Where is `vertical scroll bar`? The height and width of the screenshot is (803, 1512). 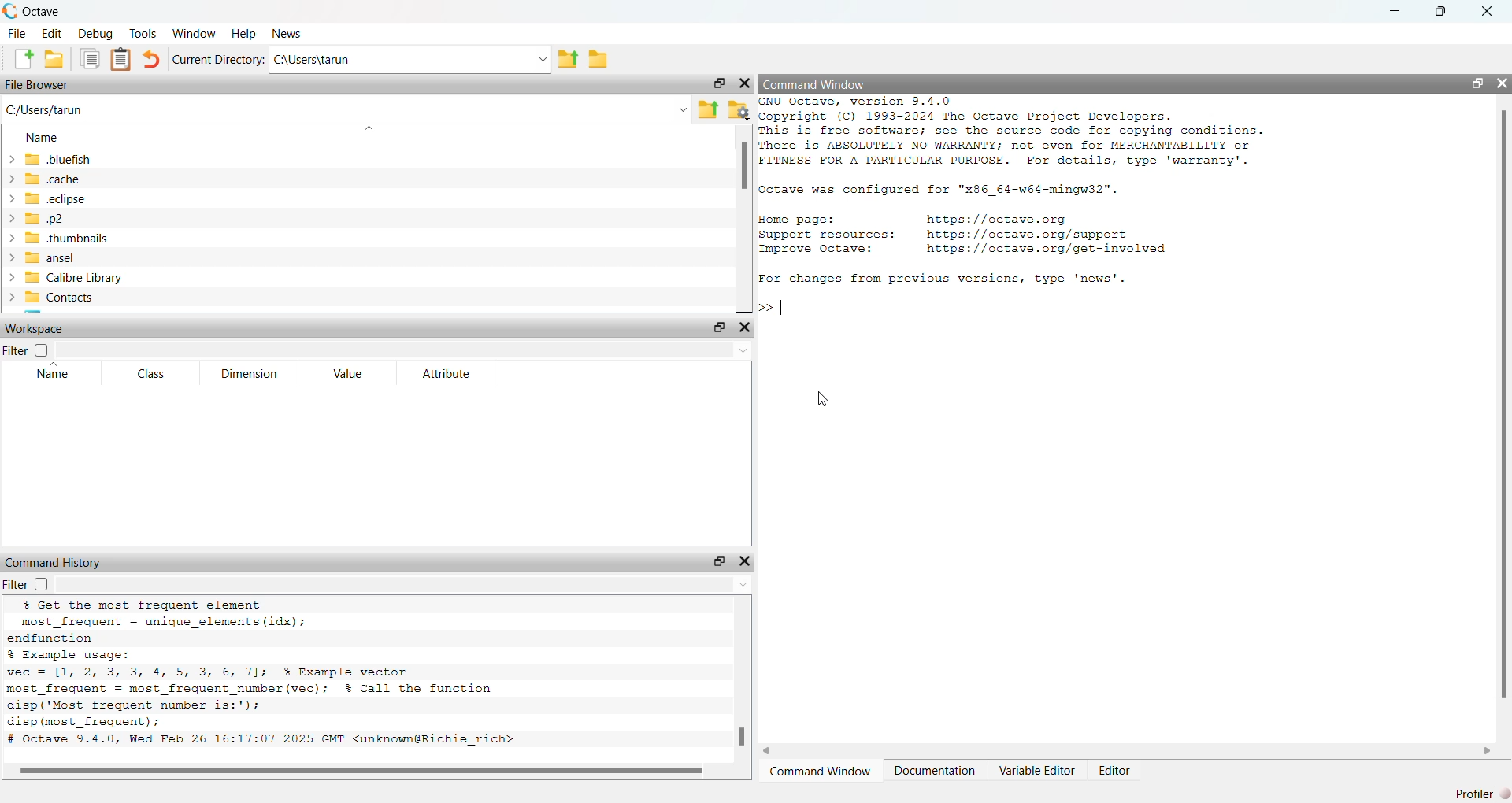 vertical scroll bar is located at coordinates (1503, 420).